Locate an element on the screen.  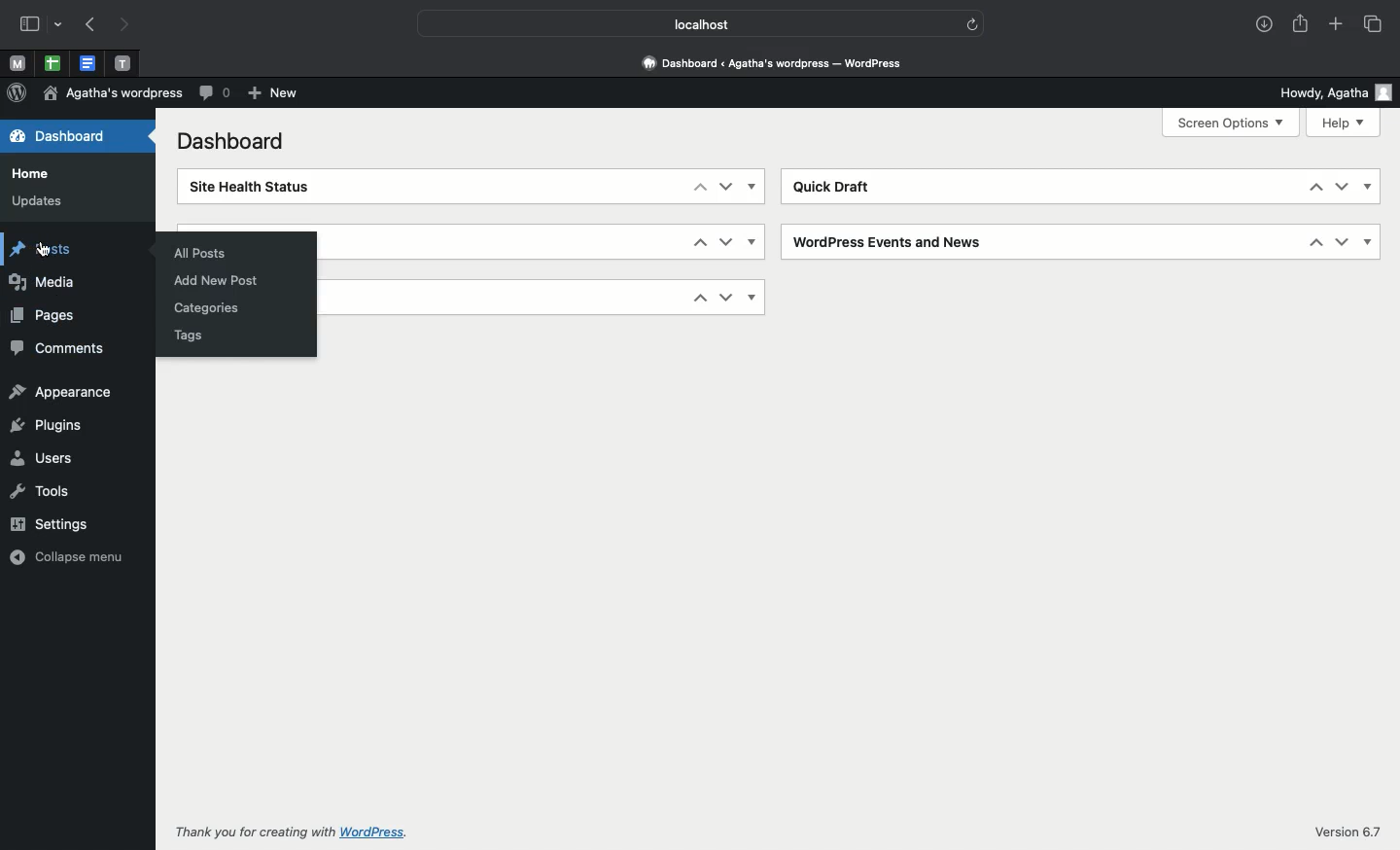
Down is located at coordinates (1342, 241).